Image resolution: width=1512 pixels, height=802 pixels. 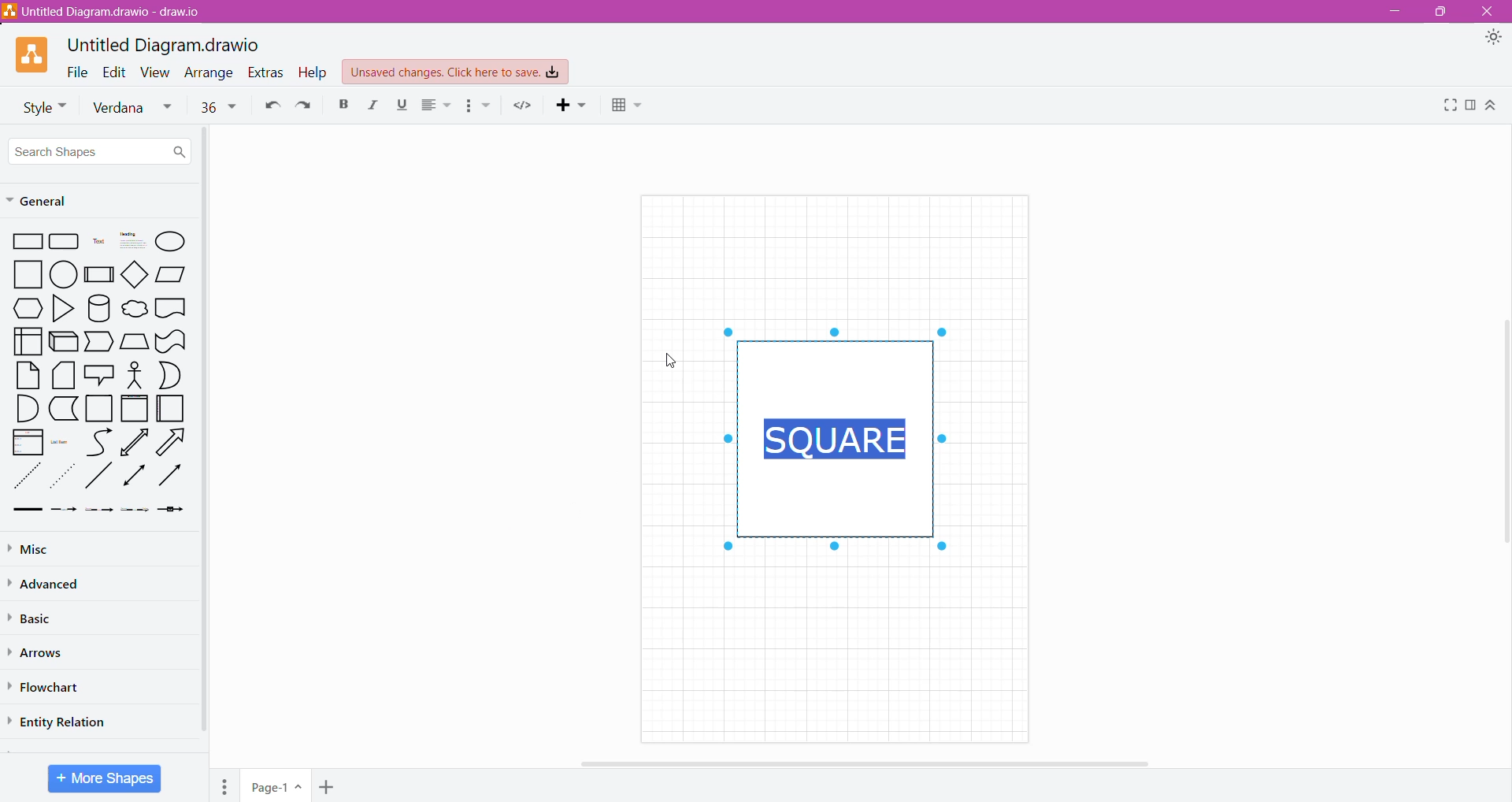 I want to click on Add Page, so click(x=329, y=786).